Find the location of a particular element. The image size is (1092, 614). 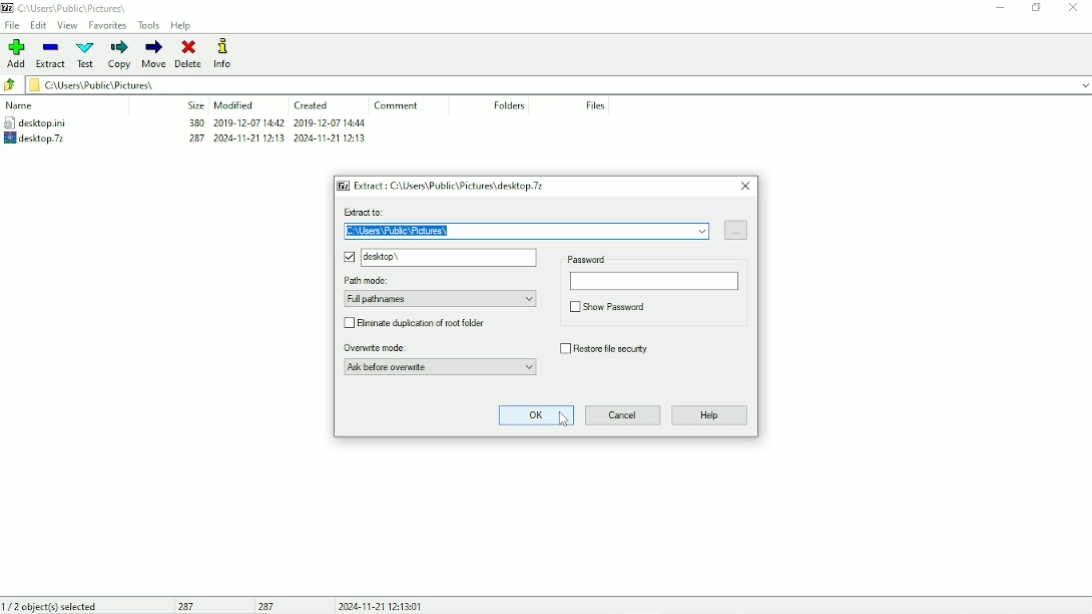

Size is located at coordinates (194, 104).